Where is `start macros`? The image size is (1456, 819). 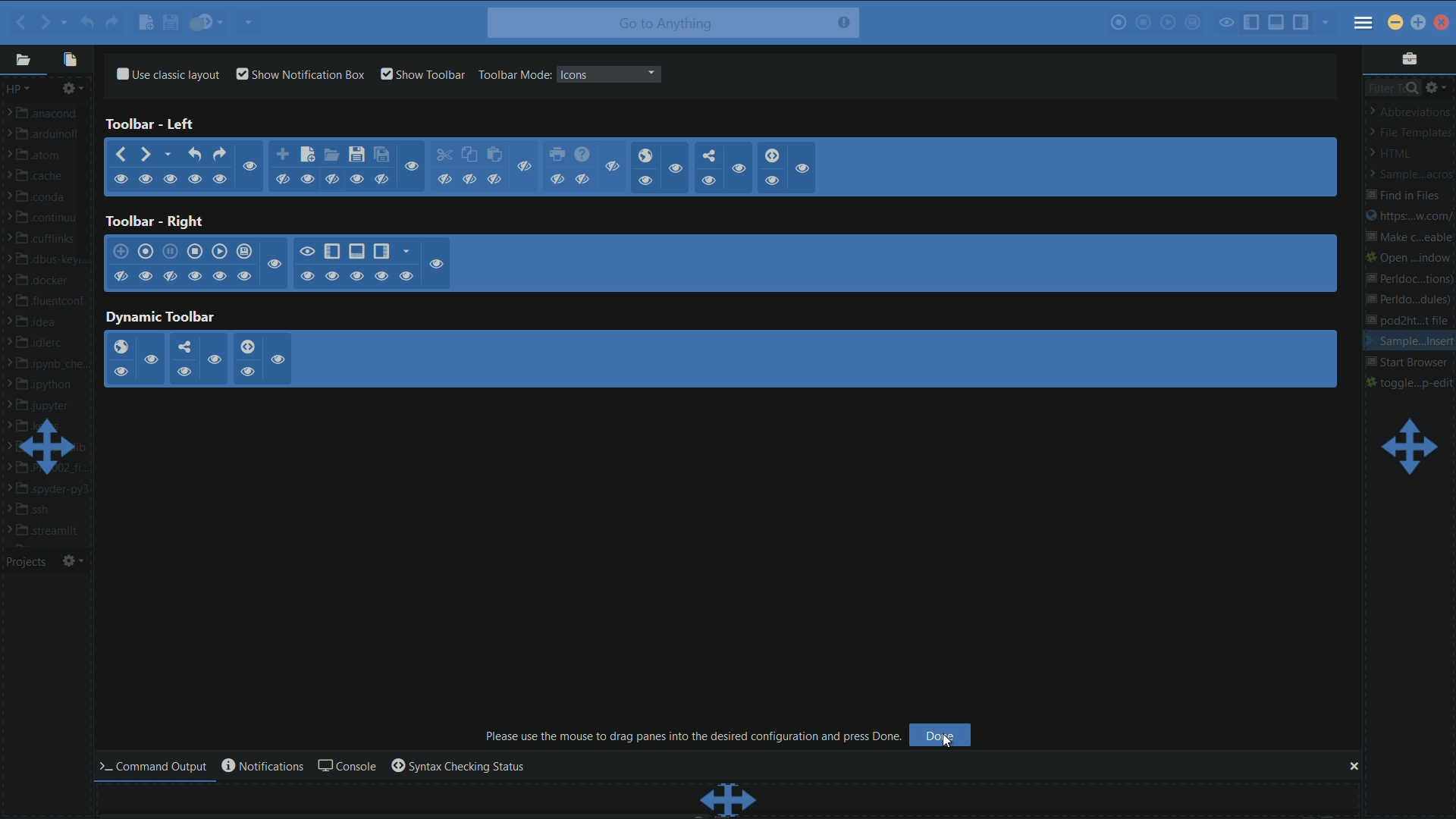
start macros is located at coordinates (1118, 24).